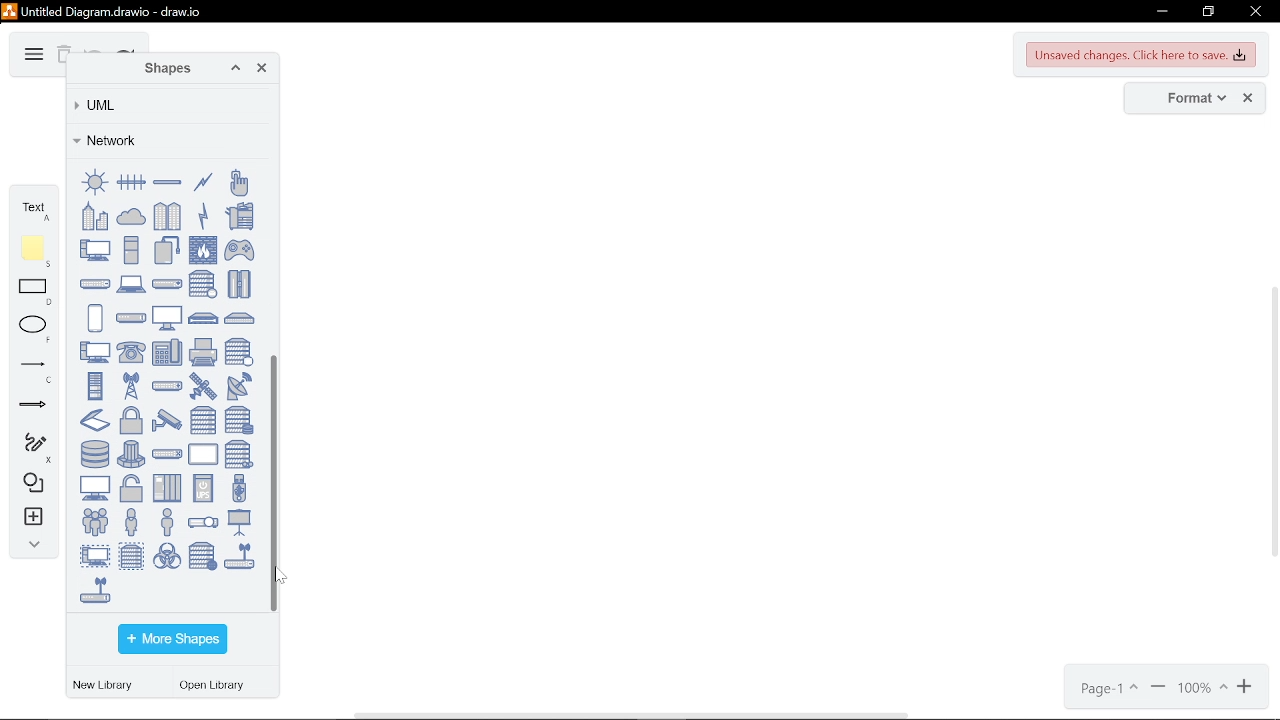 The height and width of the screenshot is (720, 1280). I want to click on text, so click(34, 208).